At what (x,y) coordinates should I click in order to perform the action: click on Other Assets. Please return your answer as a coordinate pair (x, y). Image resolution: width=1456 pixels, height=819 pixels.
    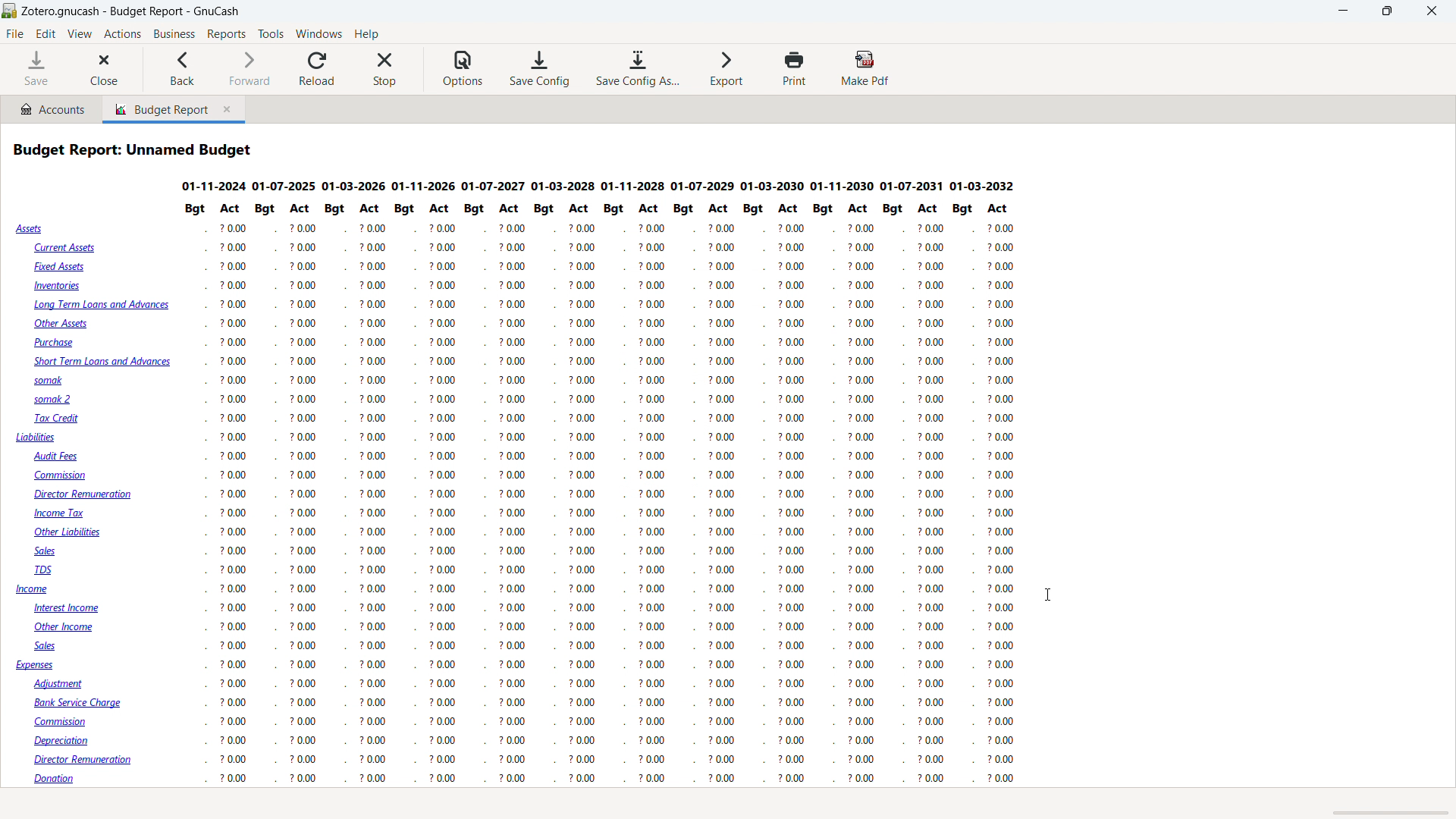
    Looking at the image, I should click on (61, 324).